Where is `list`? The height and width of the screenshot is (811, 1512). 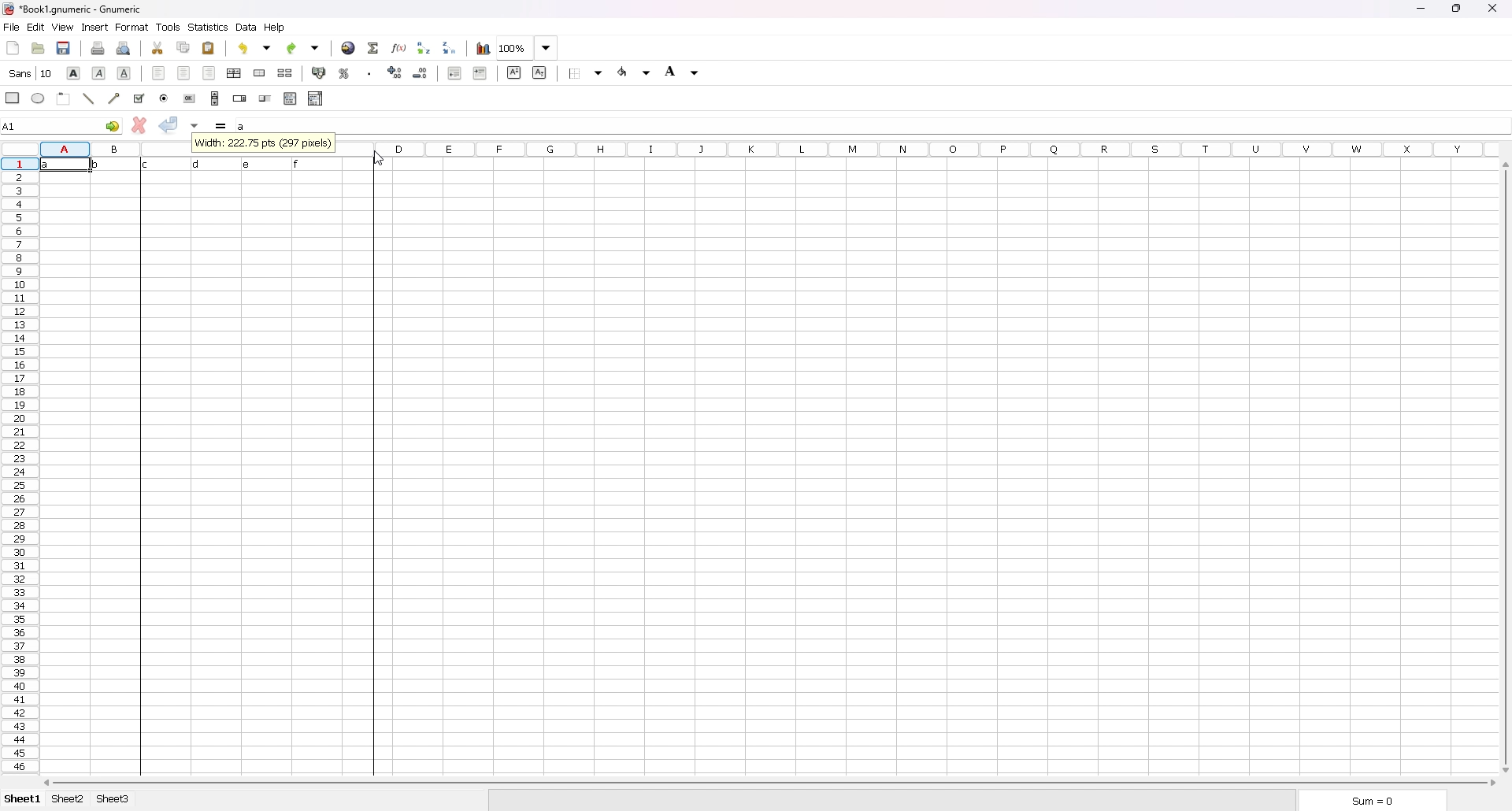 list is located at coordinates (290, 98).